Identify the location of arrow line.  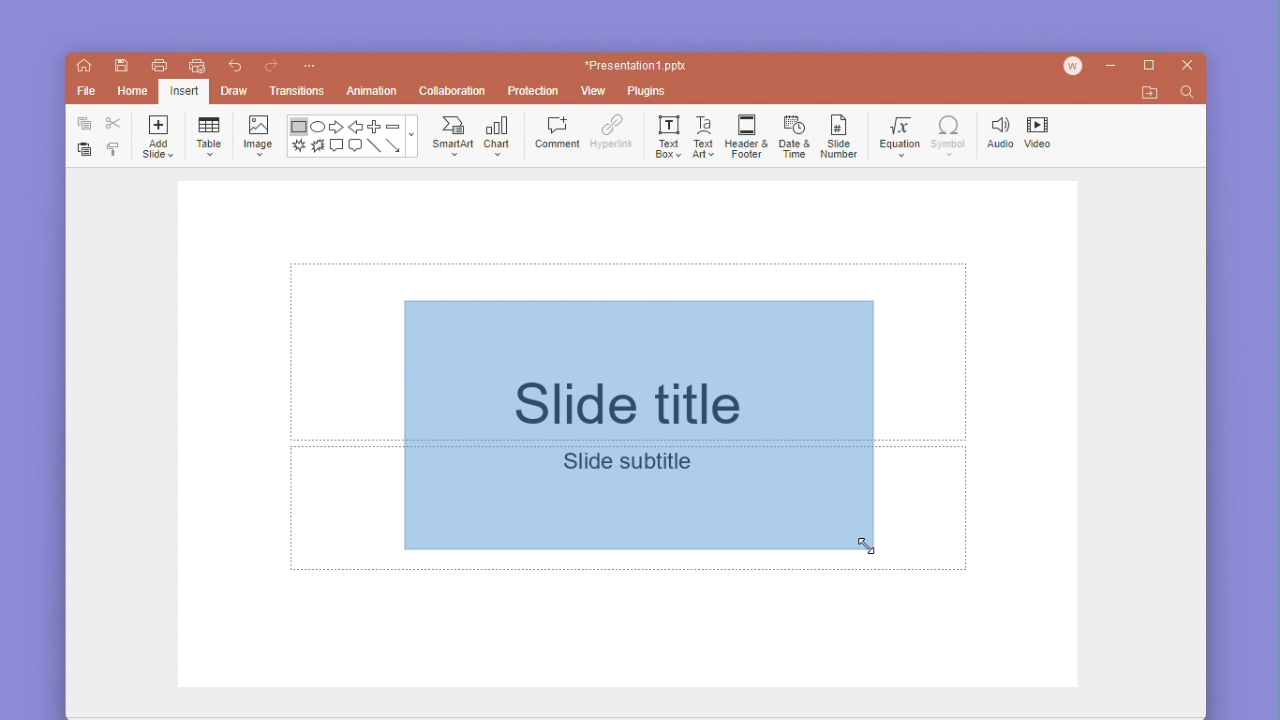
(395, 147).